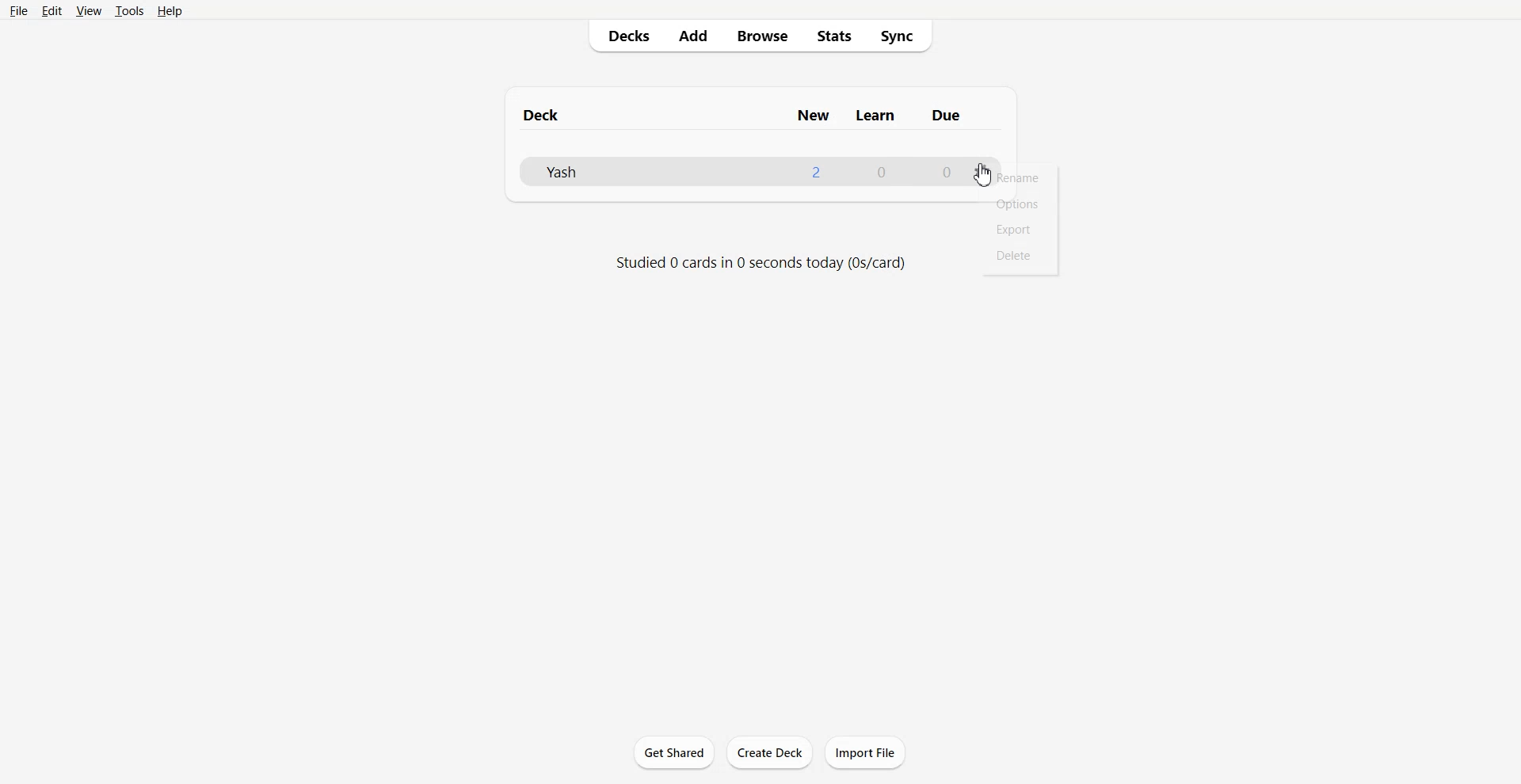 The height and width of the screenshot is (784, 1521). What do you see at coordinates (982, 171) in the screenshot?
I see `options` at bounding box center [982, 171].